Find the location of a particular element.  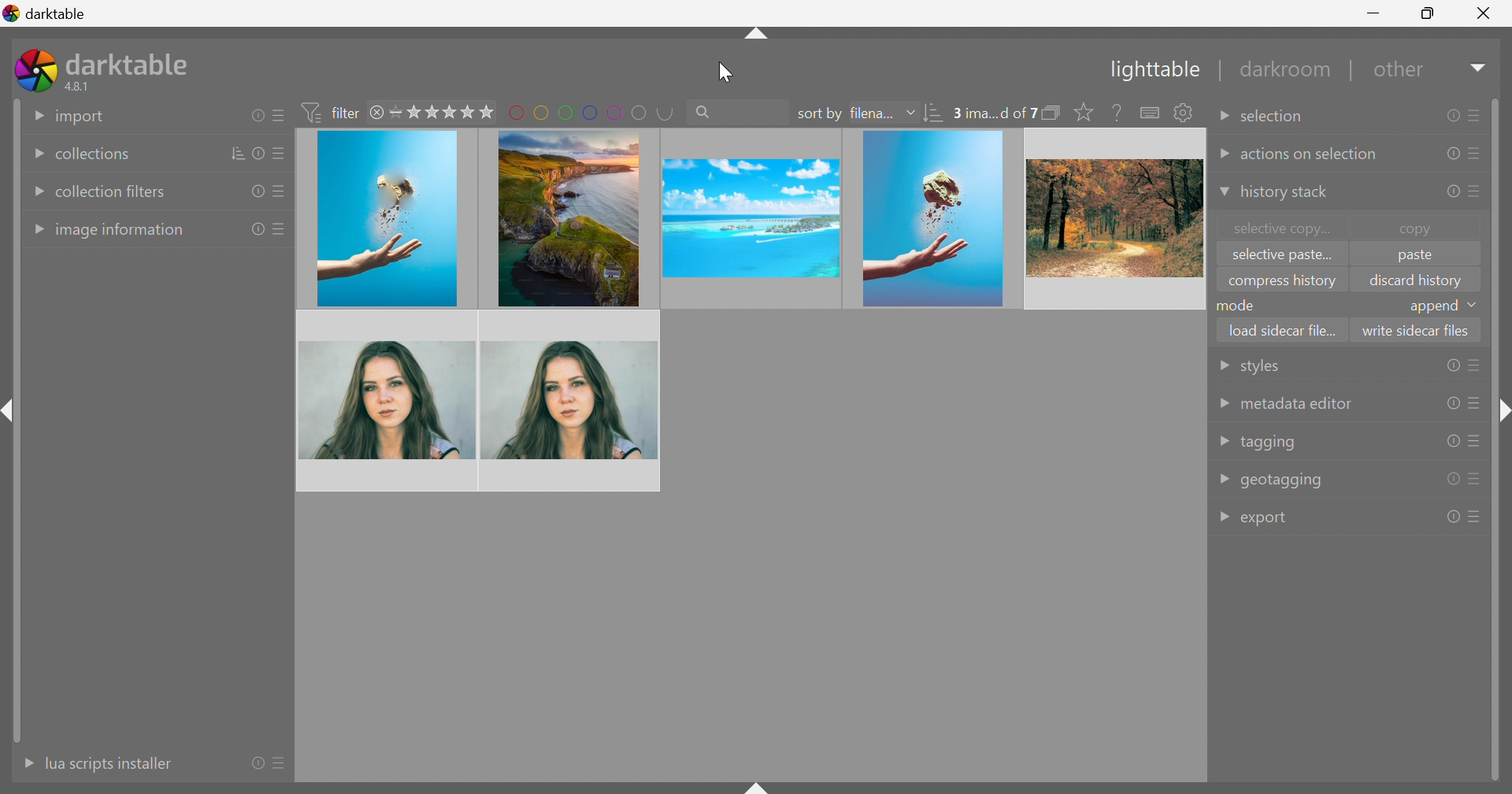

export is located at coordinates (1268, 520).